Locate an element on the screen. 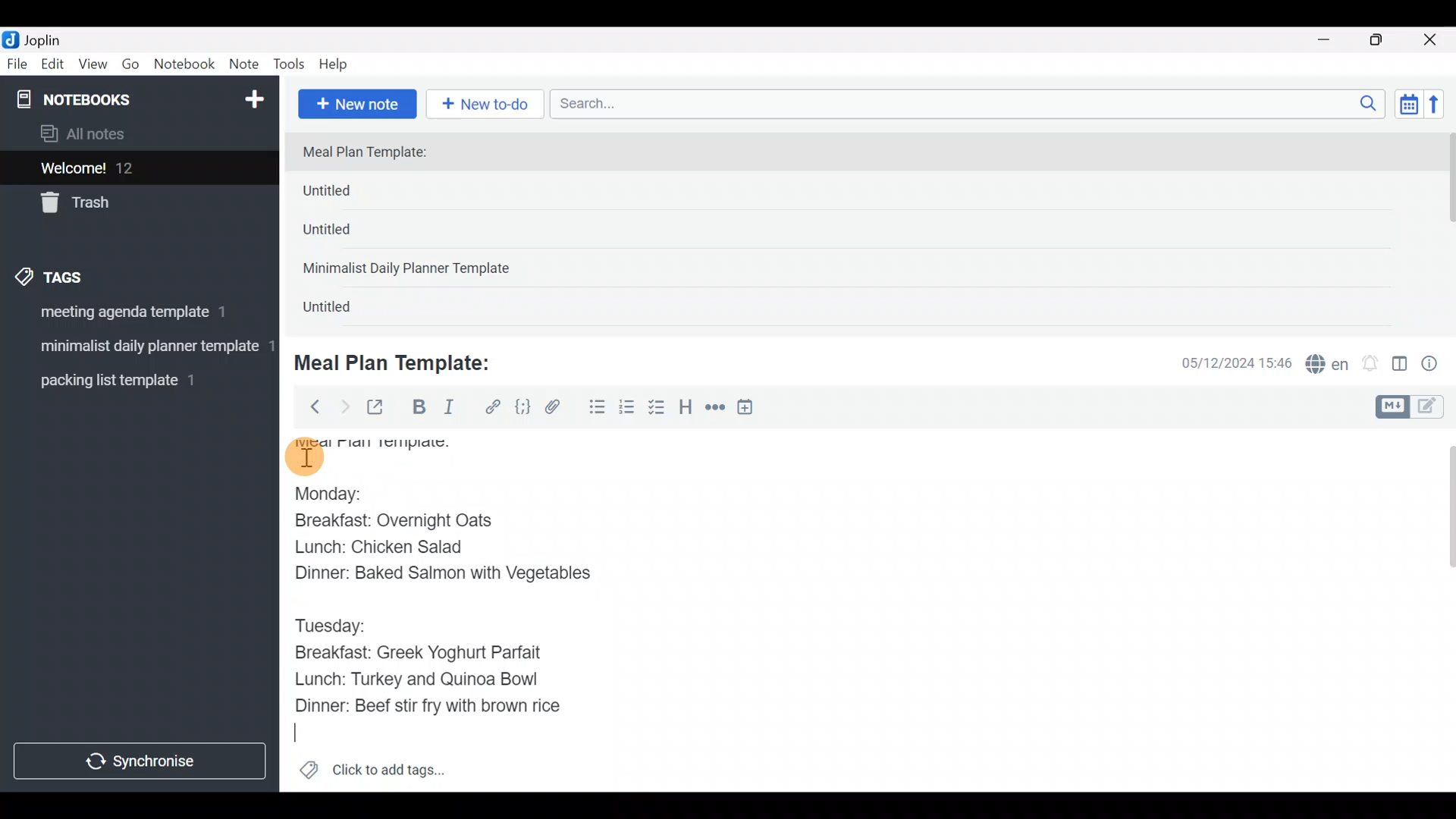 The image size is (1456, 819). Spelling is located at coordinates (1328, 366).